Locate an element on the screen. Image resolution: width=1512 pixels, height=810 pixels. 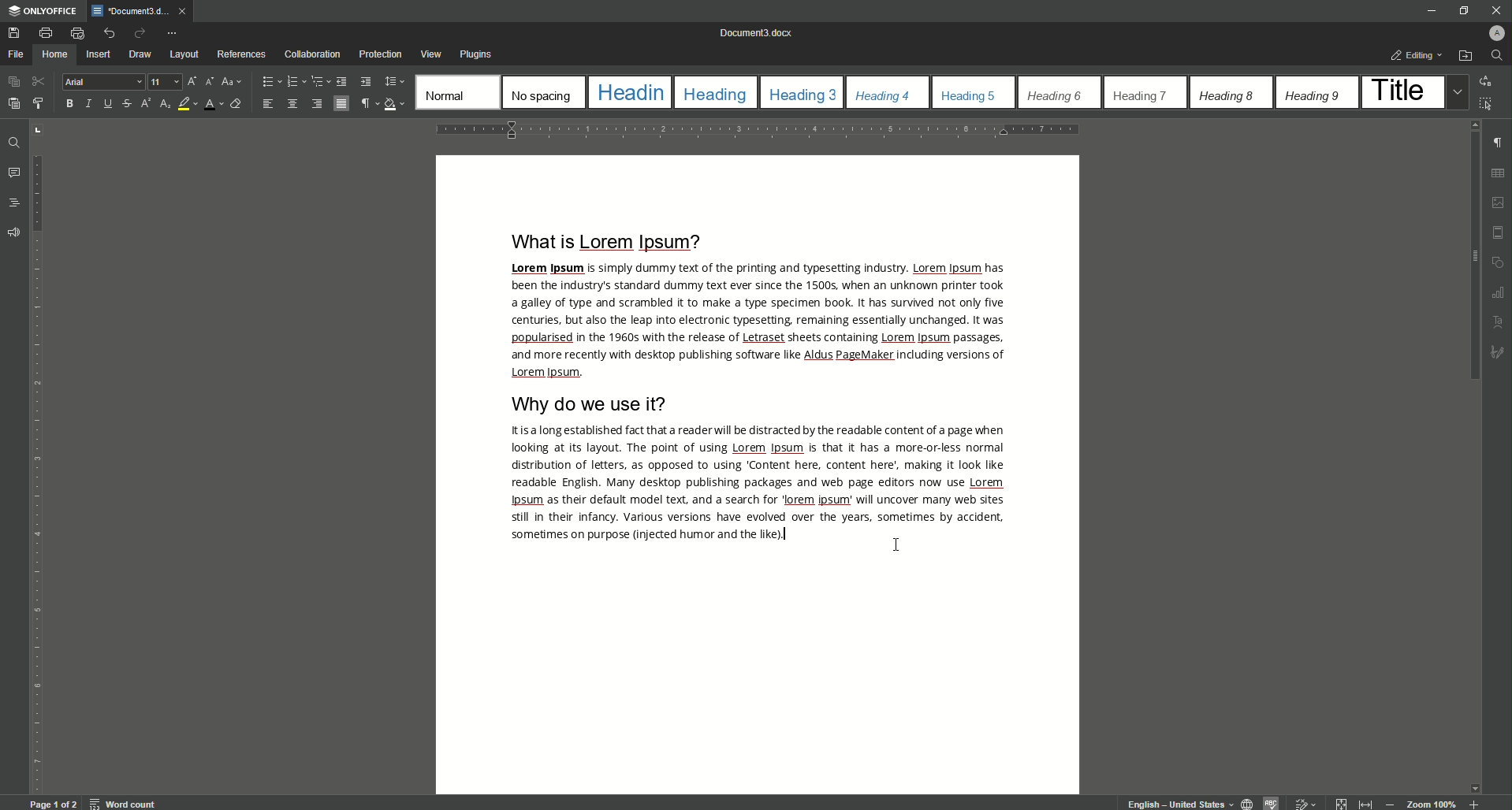
Select is located at coordinates (1491, 104).